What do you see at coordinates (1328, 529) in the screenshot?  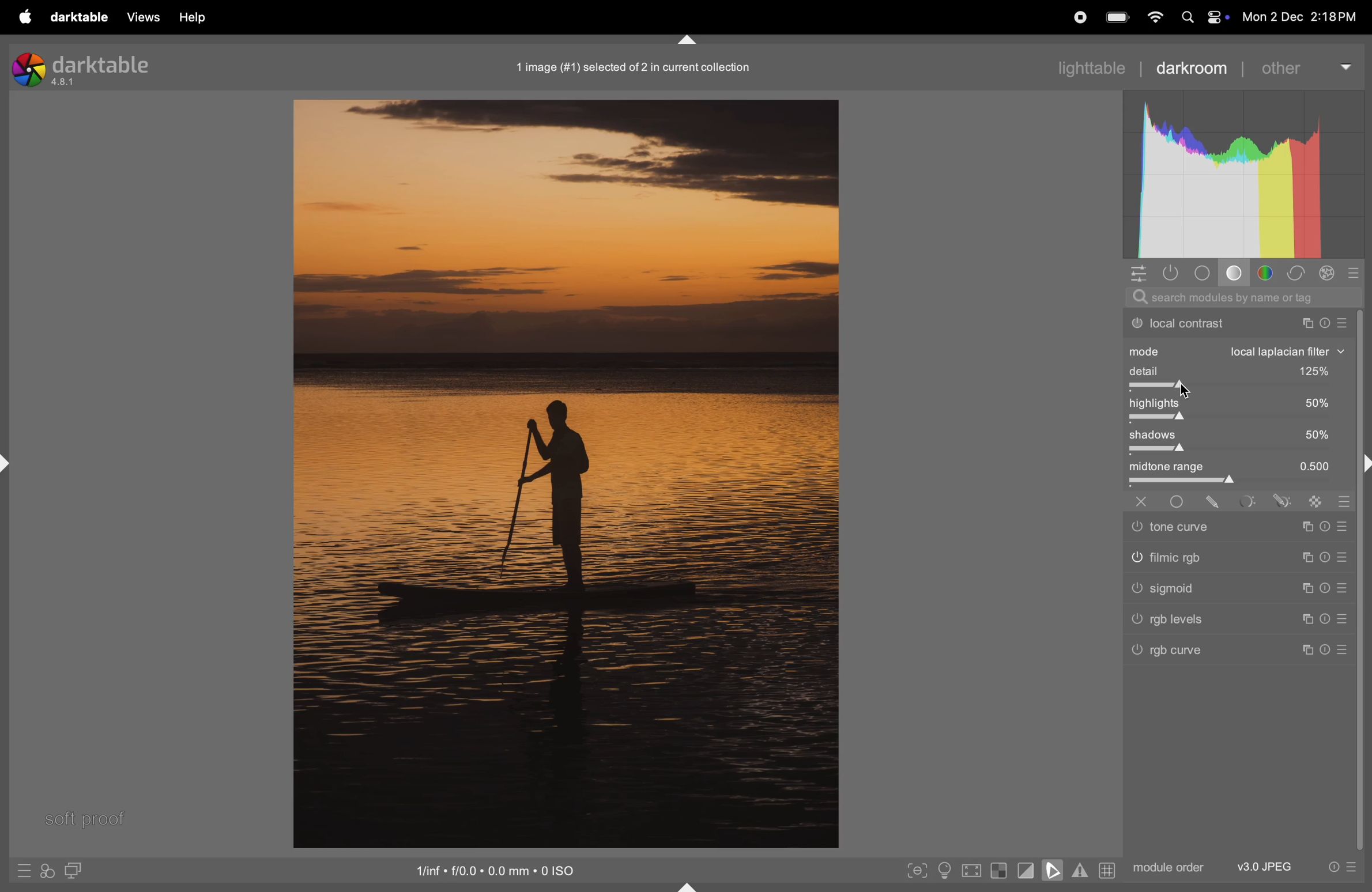 I see `sign ` at bounding box center [1328, 529].